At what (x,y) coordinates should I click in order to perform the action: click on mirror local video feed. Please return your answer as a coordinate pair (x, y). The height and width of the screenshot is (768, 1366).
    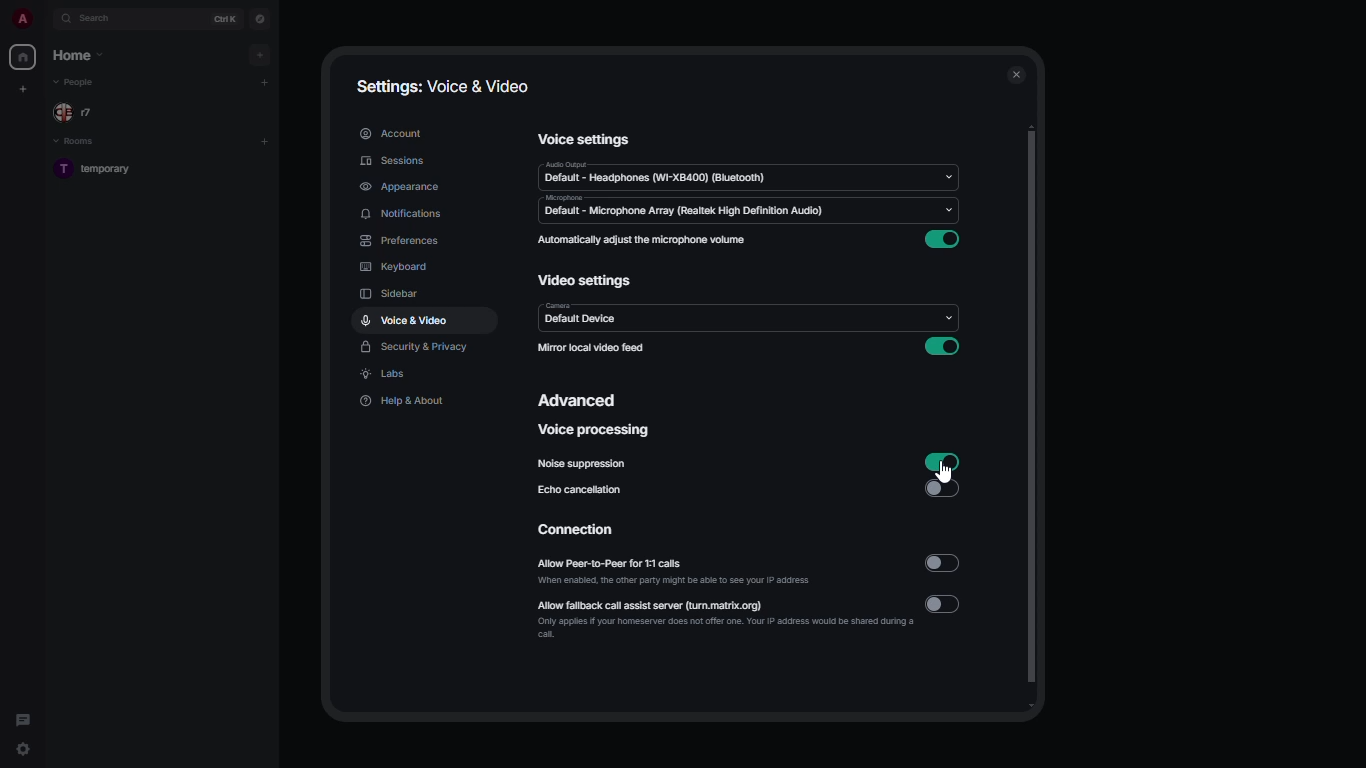
    Looking at the image, I should click on (594, 348).